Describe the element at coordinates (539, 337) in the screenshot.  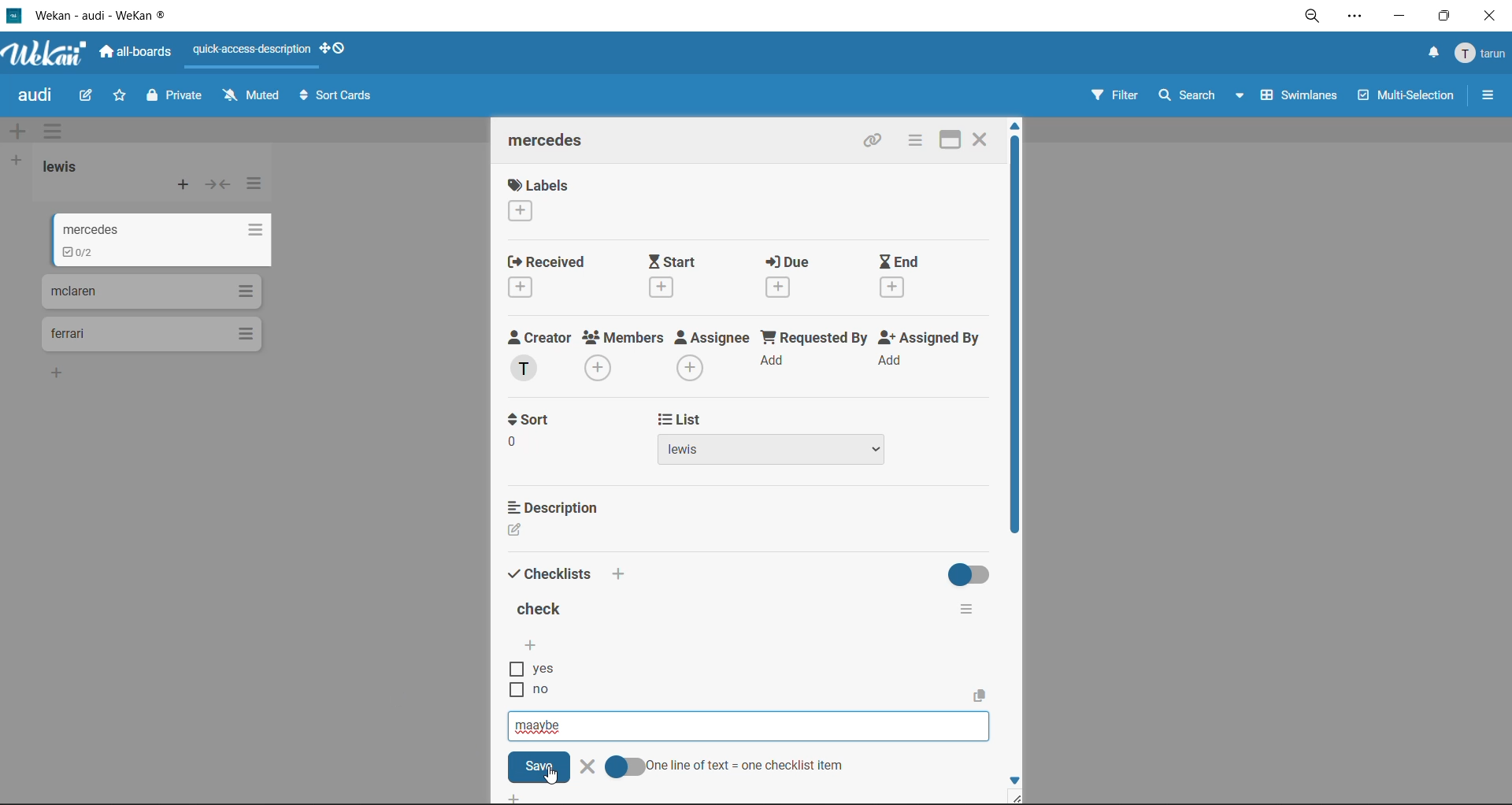
I see `creator` at that location.